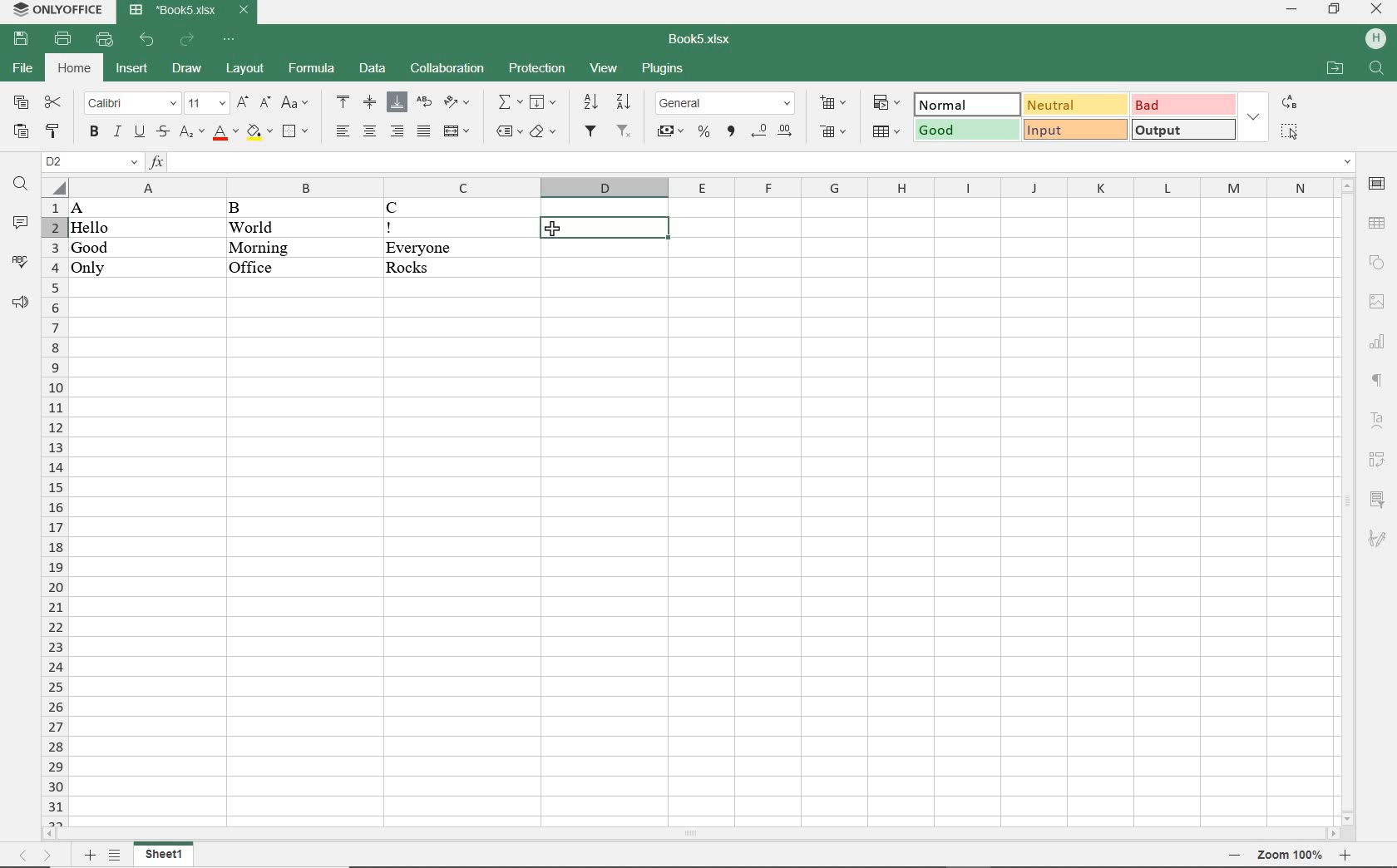 The image size is (1397, 868). I want to click on align right, so click(397, 132).